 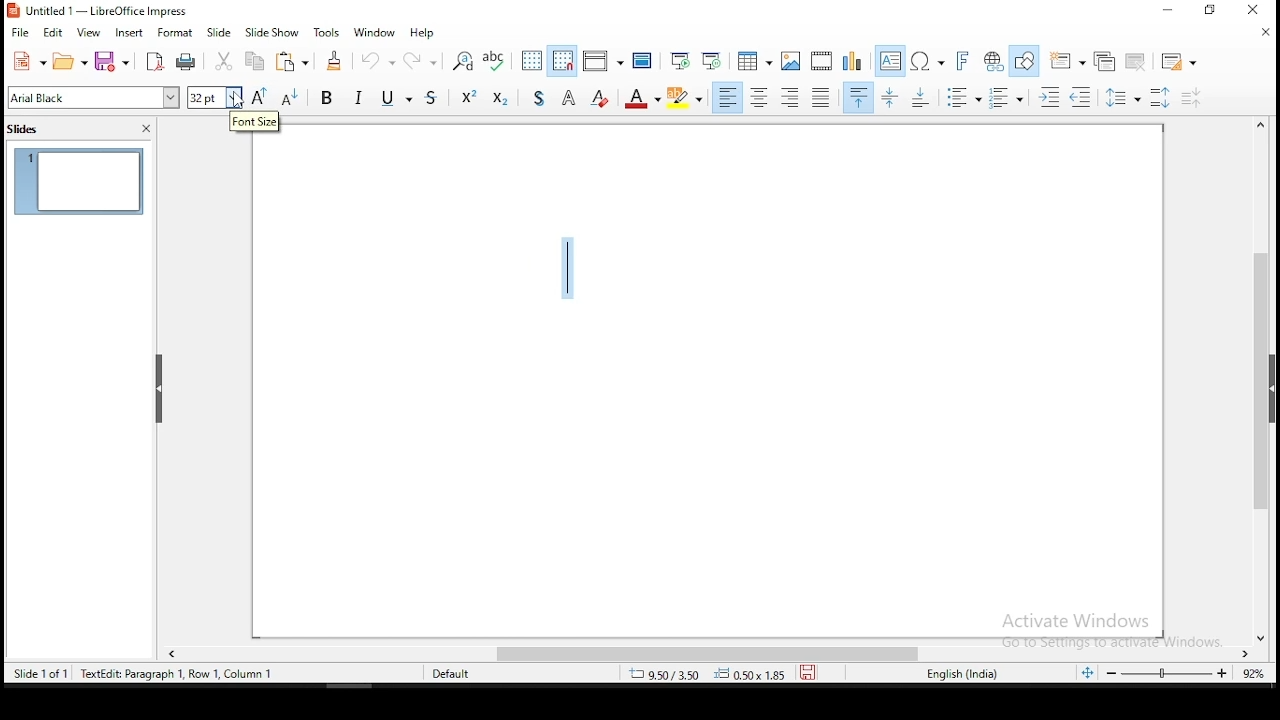 I want to click on Erase style, so click(x=600, y=96).